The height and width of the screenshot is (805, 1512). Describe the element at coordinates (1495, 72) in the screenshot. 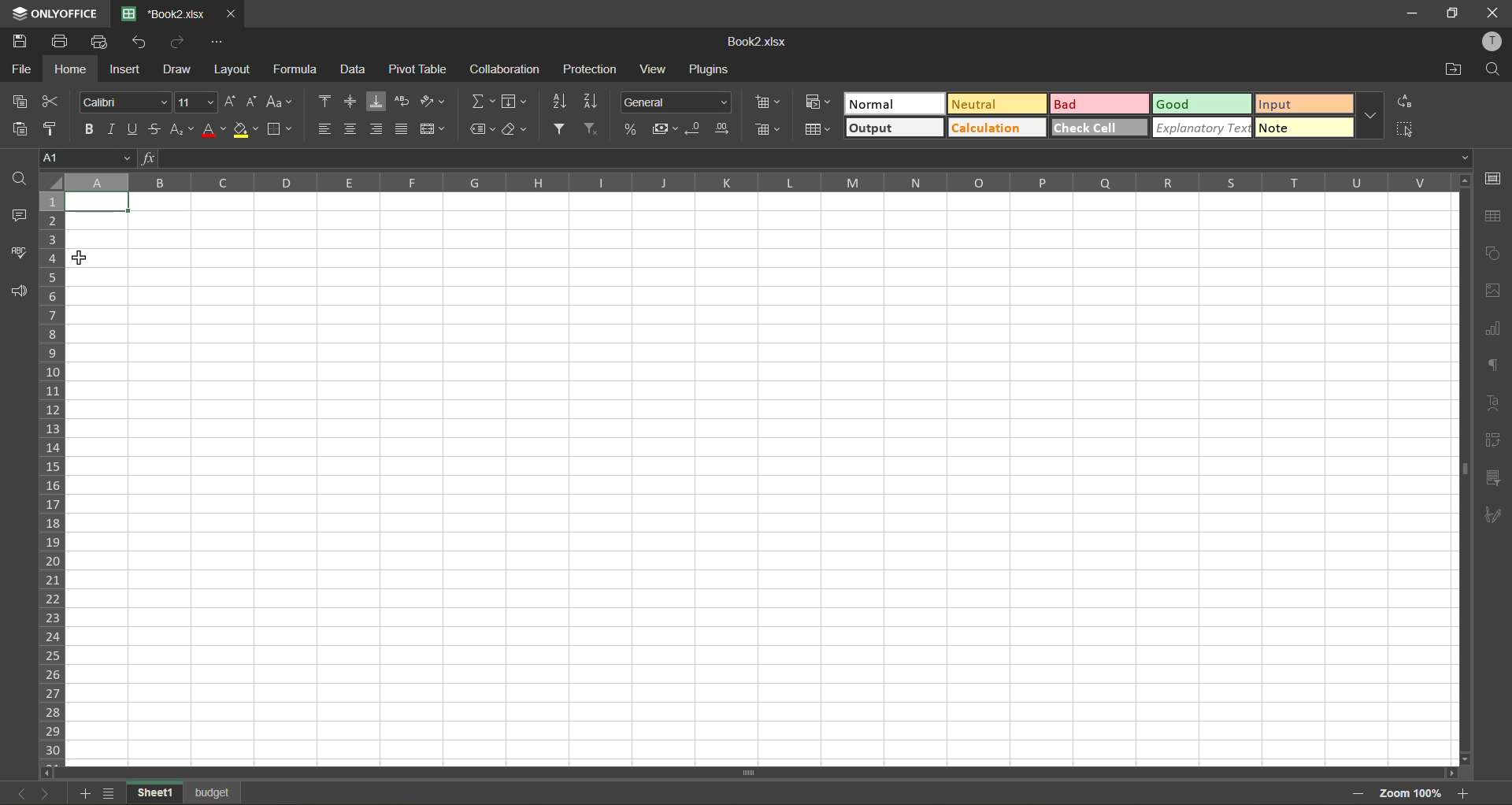

I see `find` at that location.